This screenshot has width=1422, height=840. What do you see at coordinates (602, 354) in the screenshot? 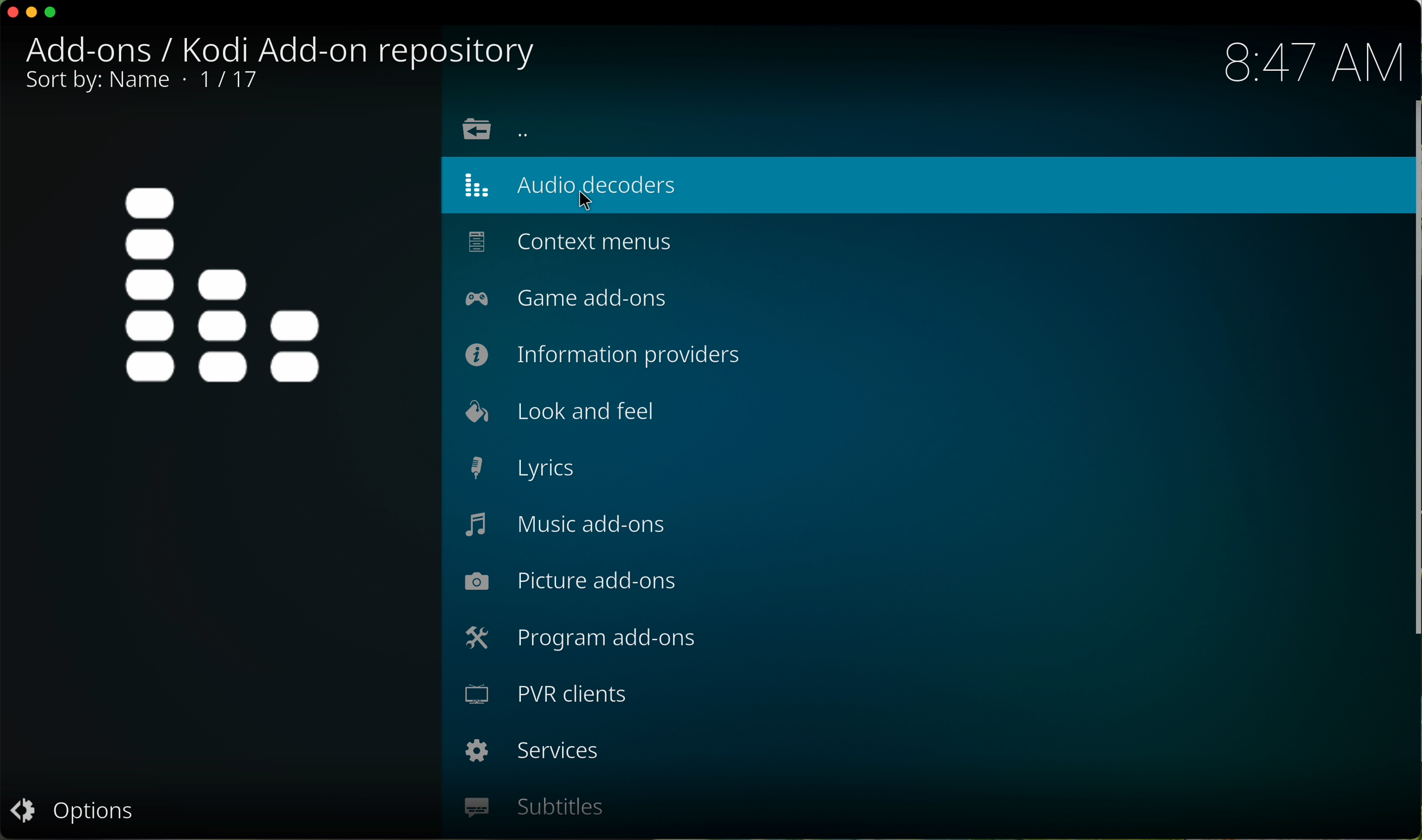
I see `information providers` at bounding box center [602, 354].